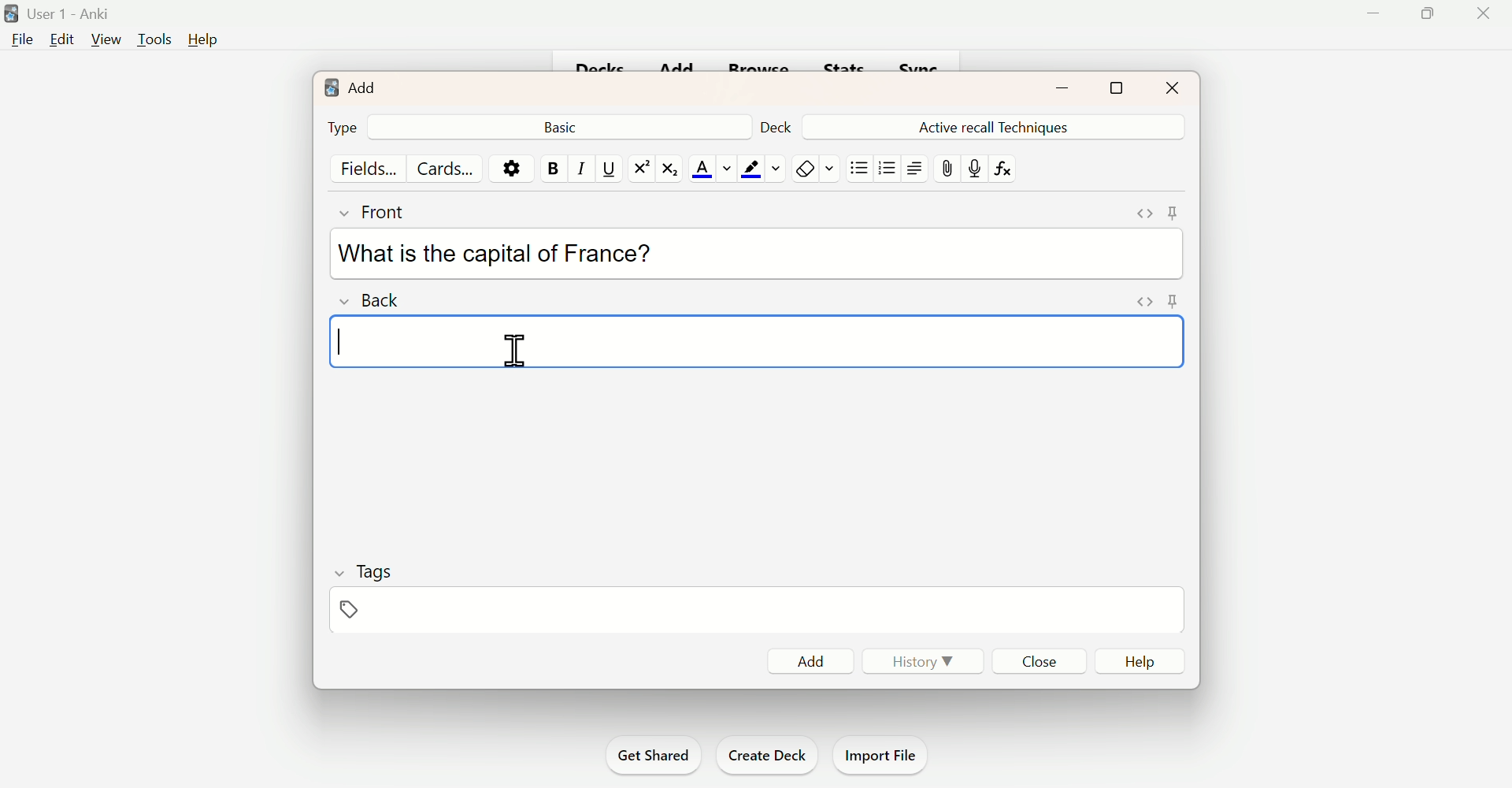 The width and height of the screenshot is (1512, 788). Describe the element at coordinates (61, 39) in the screenshot. I see `Edit` at that location.